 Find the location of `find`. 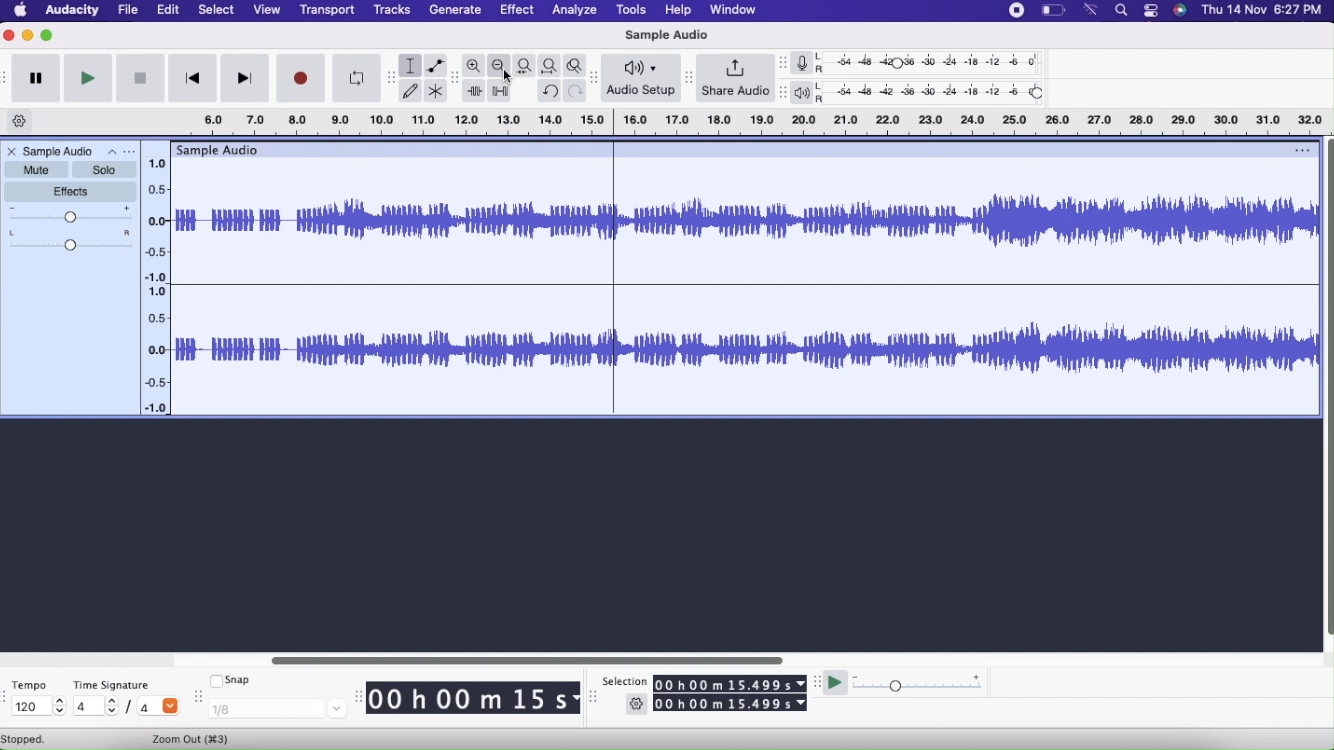

find is located at coordinates (1121, 13).